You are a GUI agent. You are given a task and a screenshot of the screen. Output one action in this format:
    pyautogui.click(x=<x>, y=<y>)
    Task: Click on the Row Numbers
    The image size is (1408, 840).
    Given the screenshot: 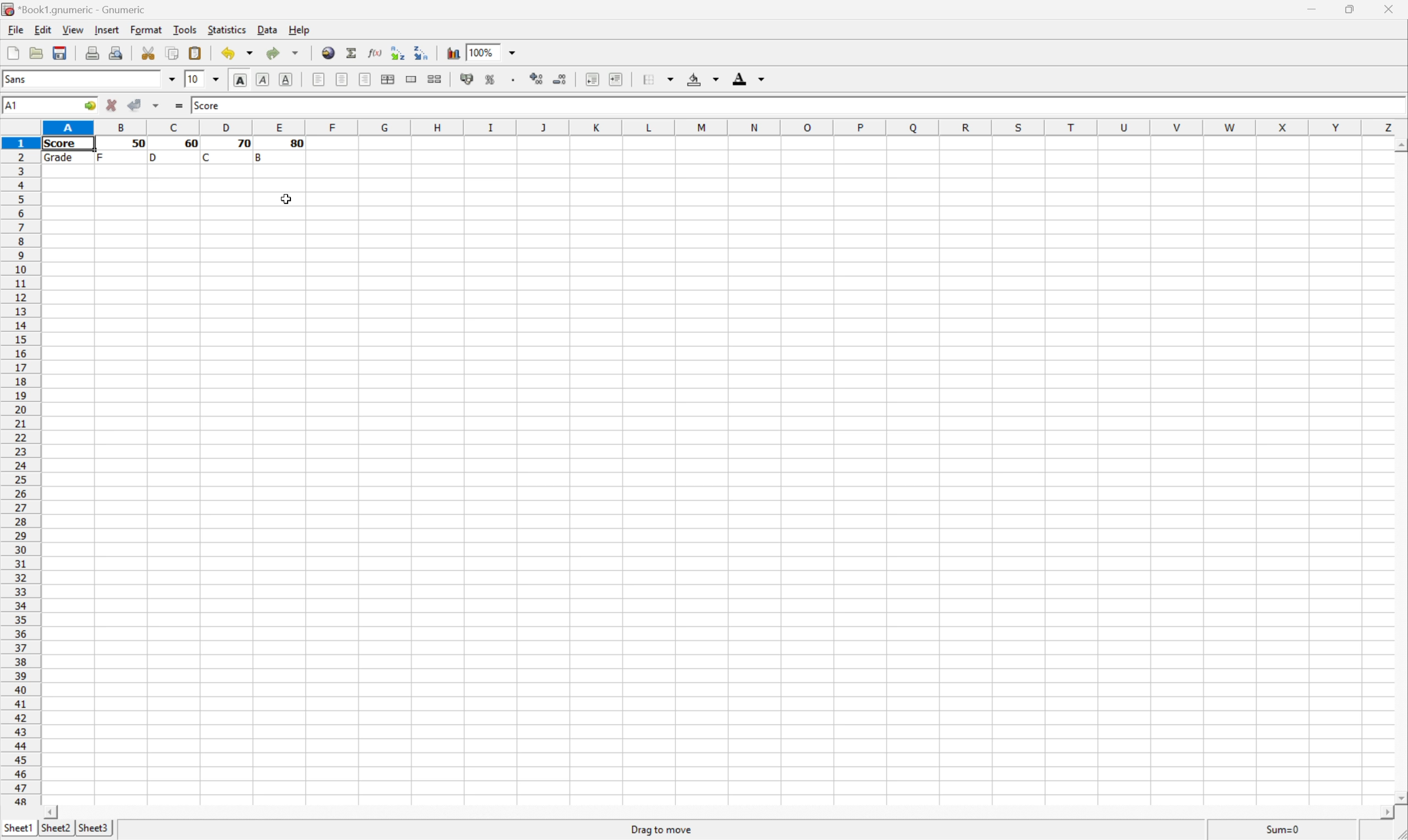 What is the action you would take?
    pyautogui.click(x=20, y=471)
    